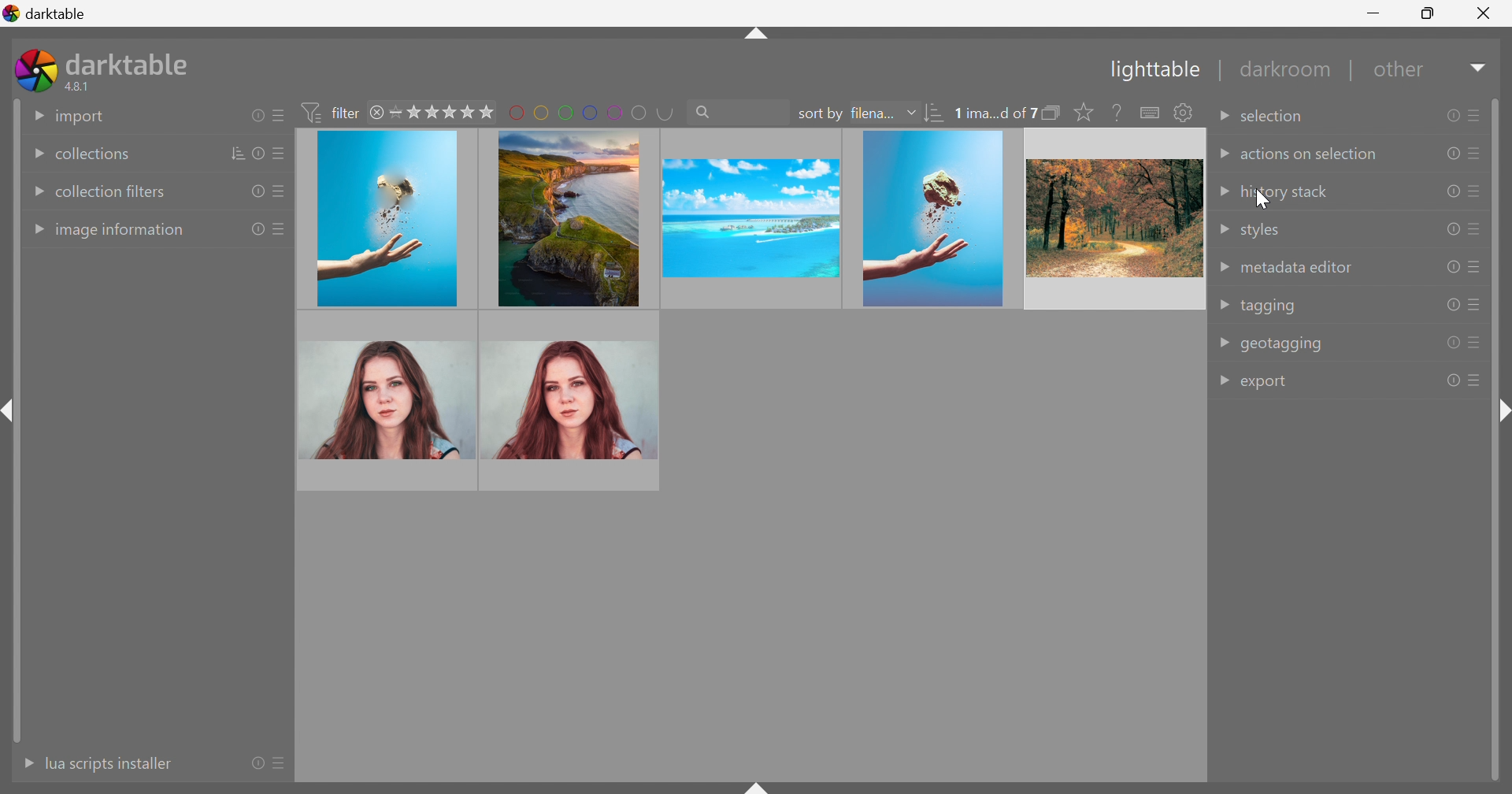  What do you see at coordinates (257, 230) in the screenshot?
I see `reset` at bounding box center [257, 230].